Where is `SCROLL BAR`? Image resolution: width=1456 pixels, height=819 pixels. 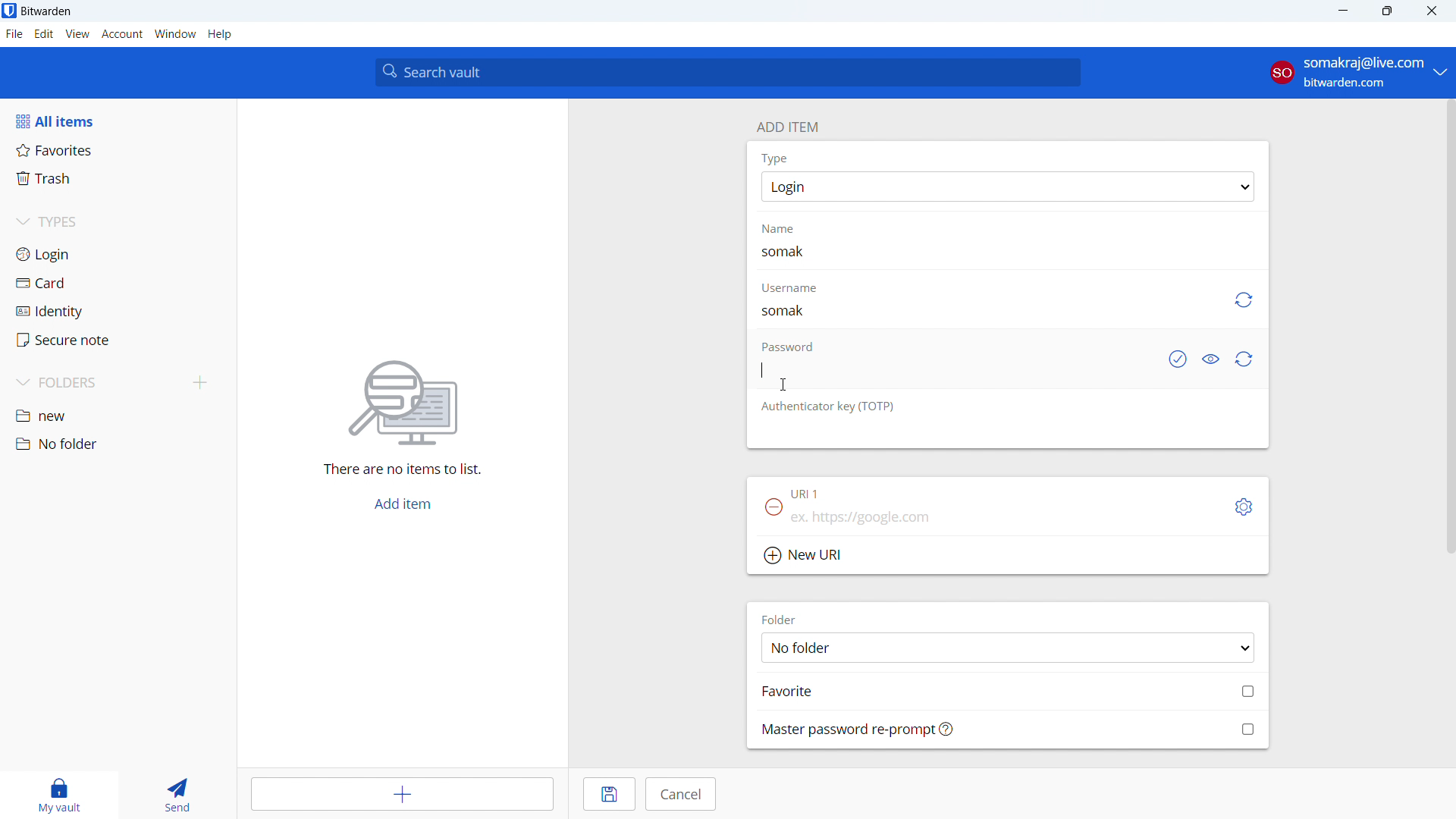
SCROLL BAR is located at coordinates (1447, 328).